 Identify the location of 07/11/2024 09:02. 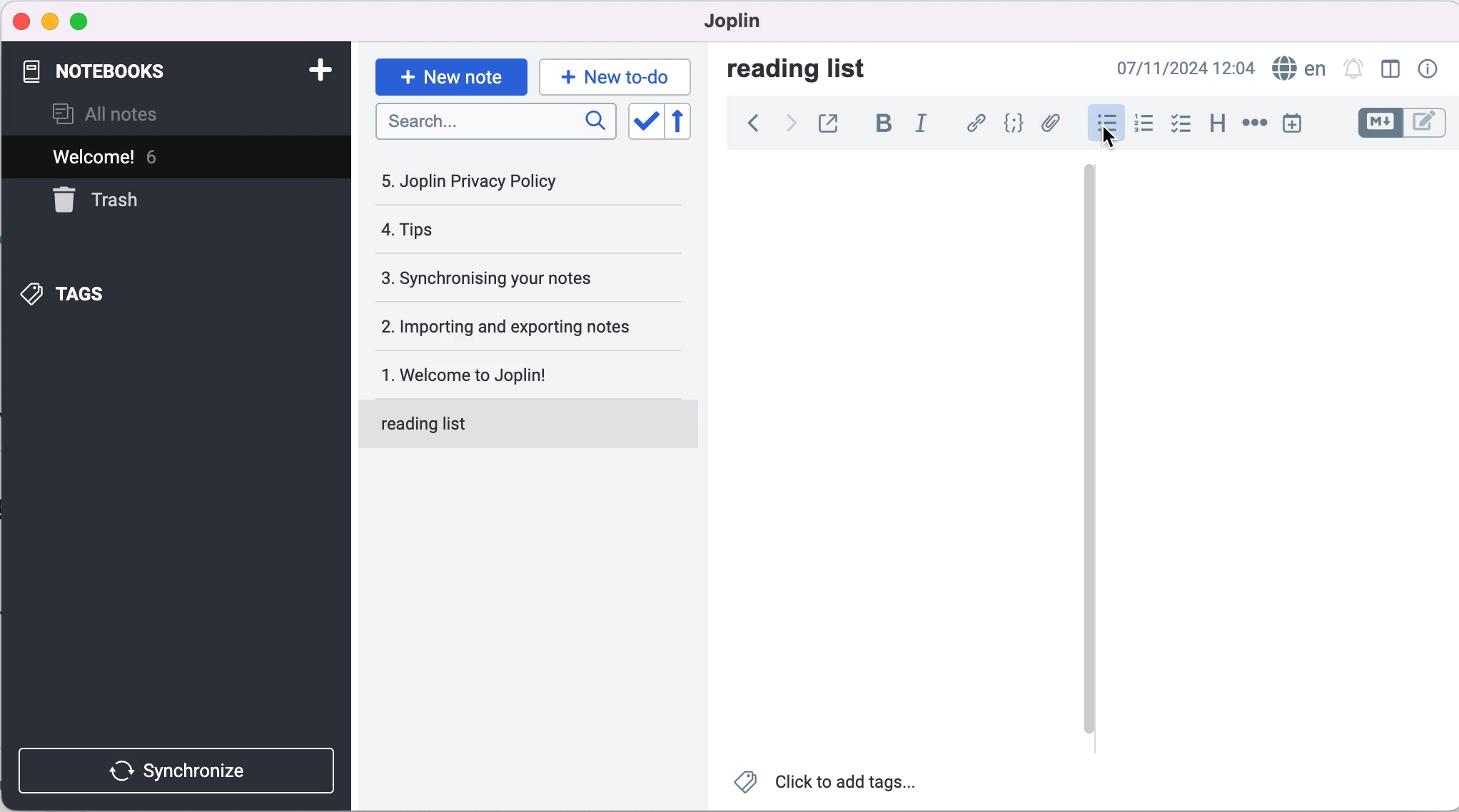
(1180, 68).